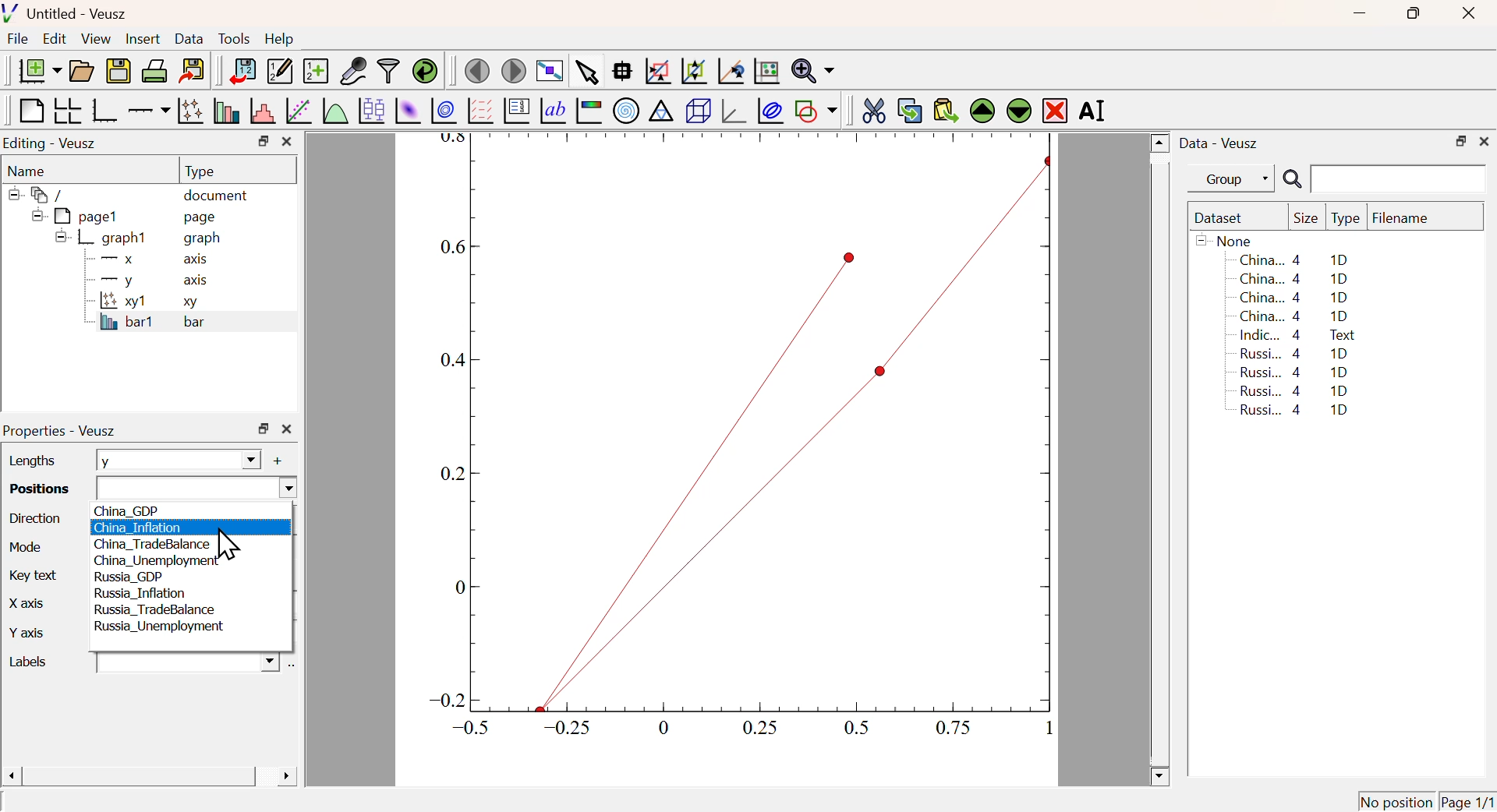  What do you see at coordinates (129, 511) in the screenshot?
I see `China_GDP` at bounding box center [129, 511].